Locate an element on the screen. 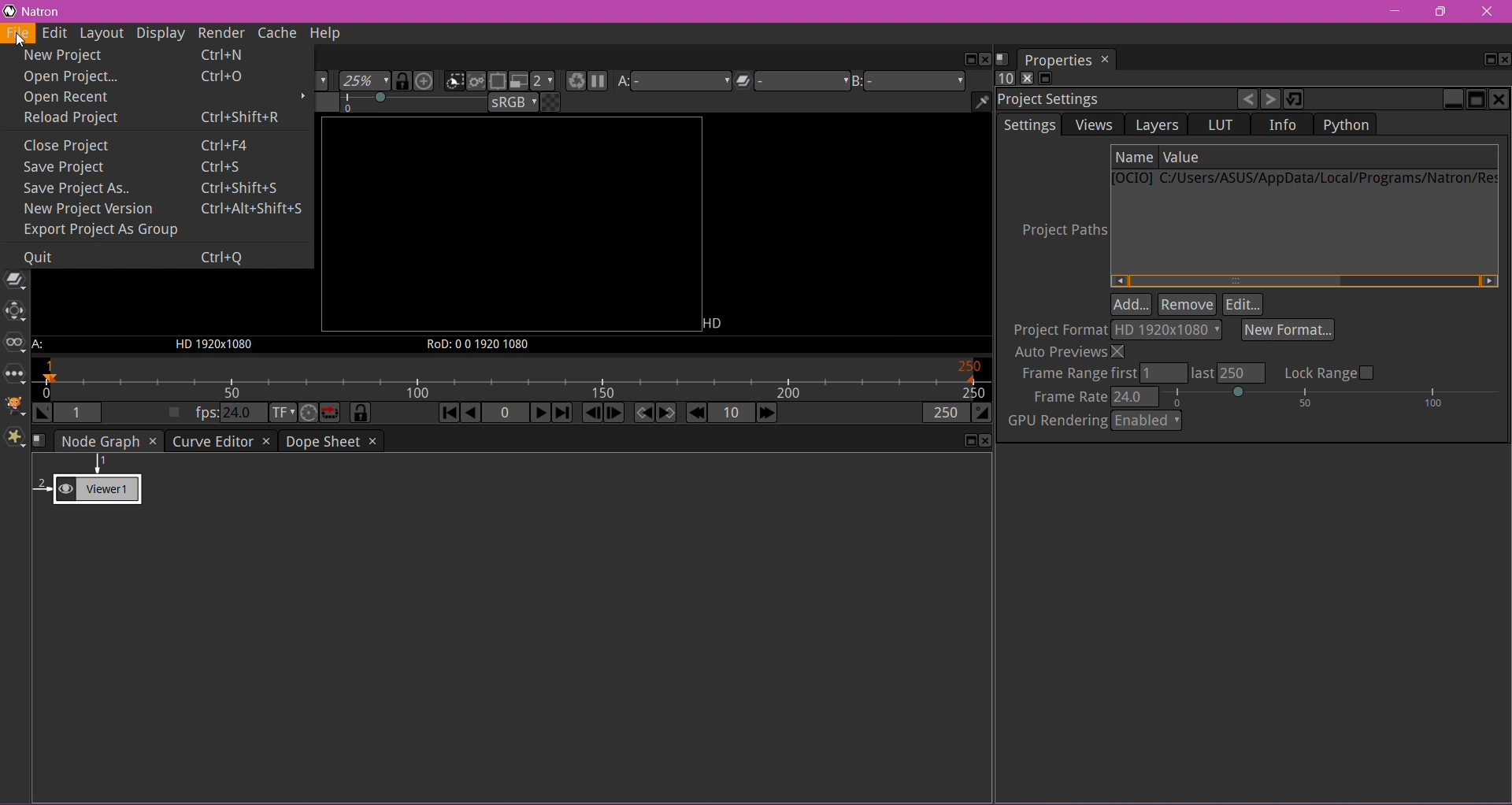  Quit is located at coordinates (138, 257).